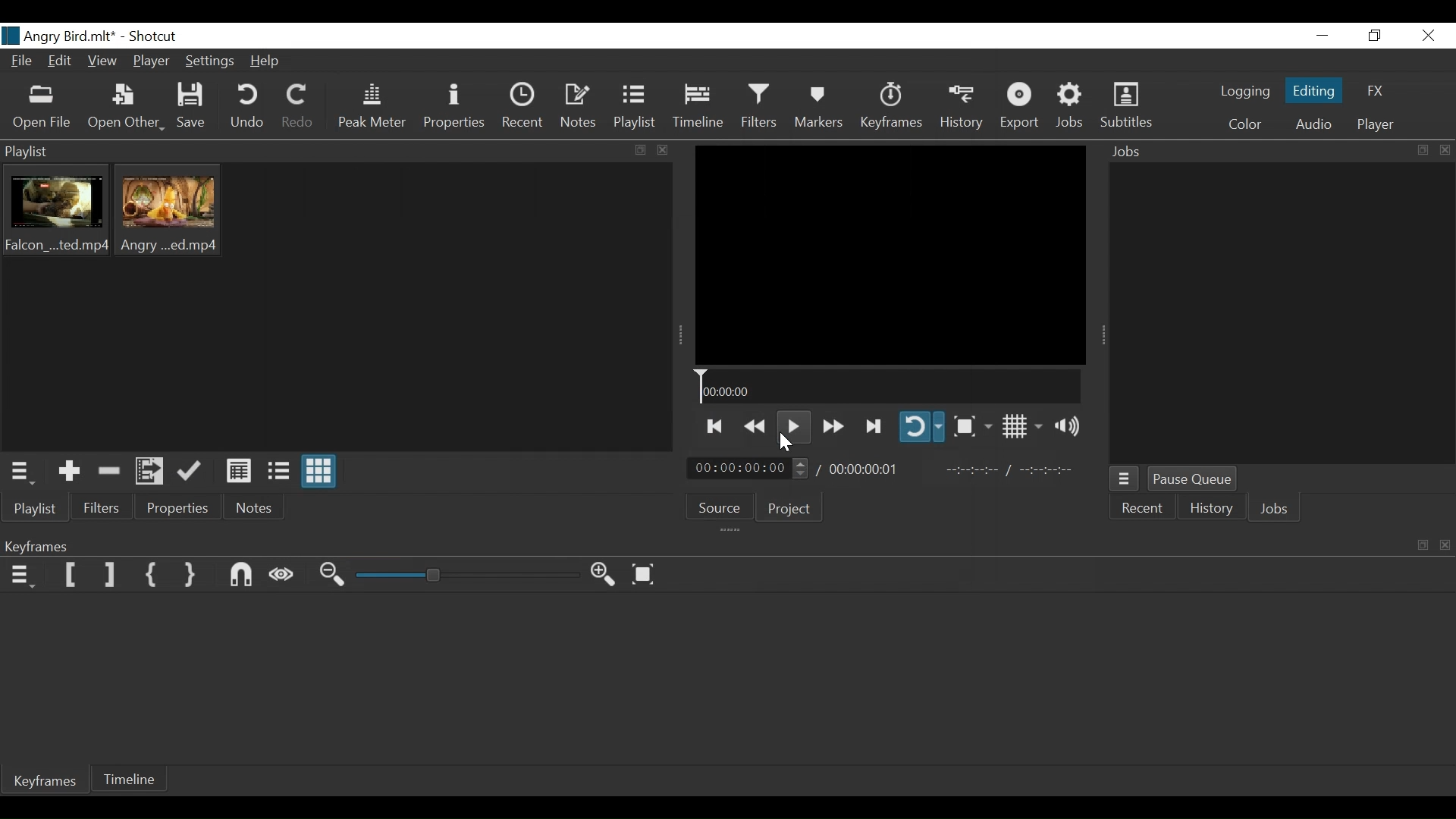 This screenshot has width=1456, height=819. I want to click on Player, so click(152, 61).